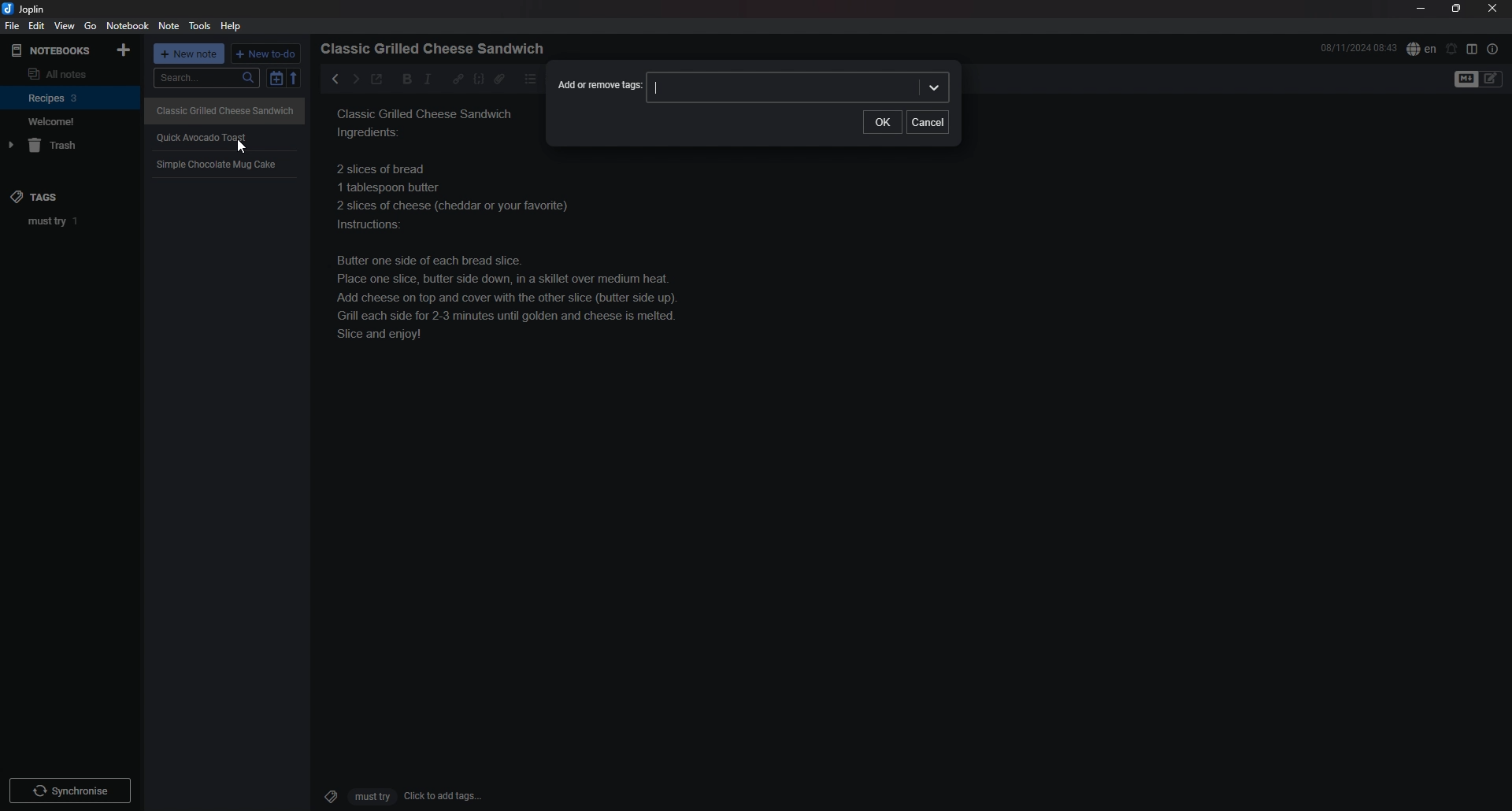 Image resolution: width=1512 pixels, height=811 pixels. I want to click on bold, so click(402, 80).